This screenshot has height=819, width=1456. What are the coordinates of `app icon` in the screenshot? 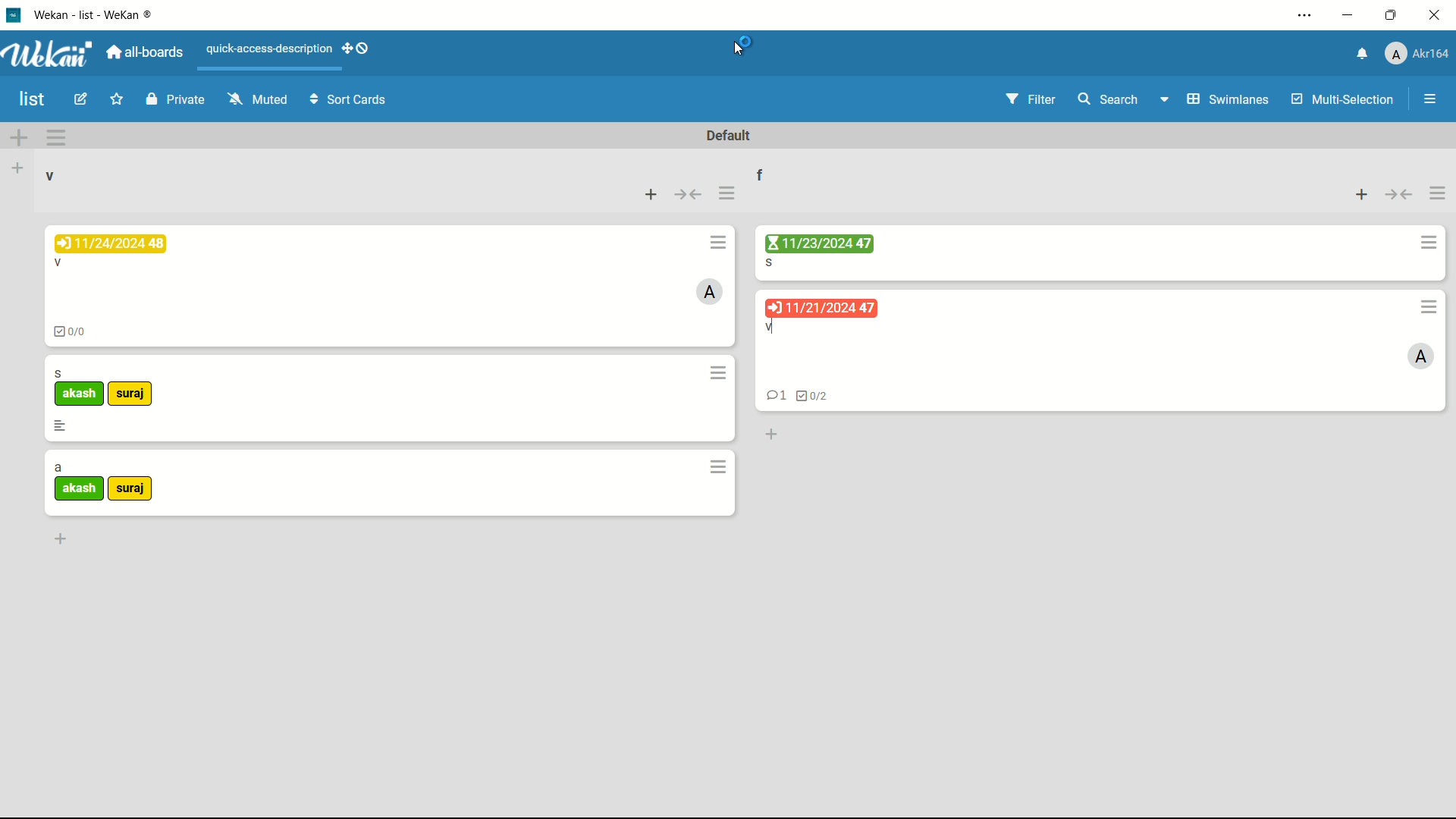 It's located at (15, 15).